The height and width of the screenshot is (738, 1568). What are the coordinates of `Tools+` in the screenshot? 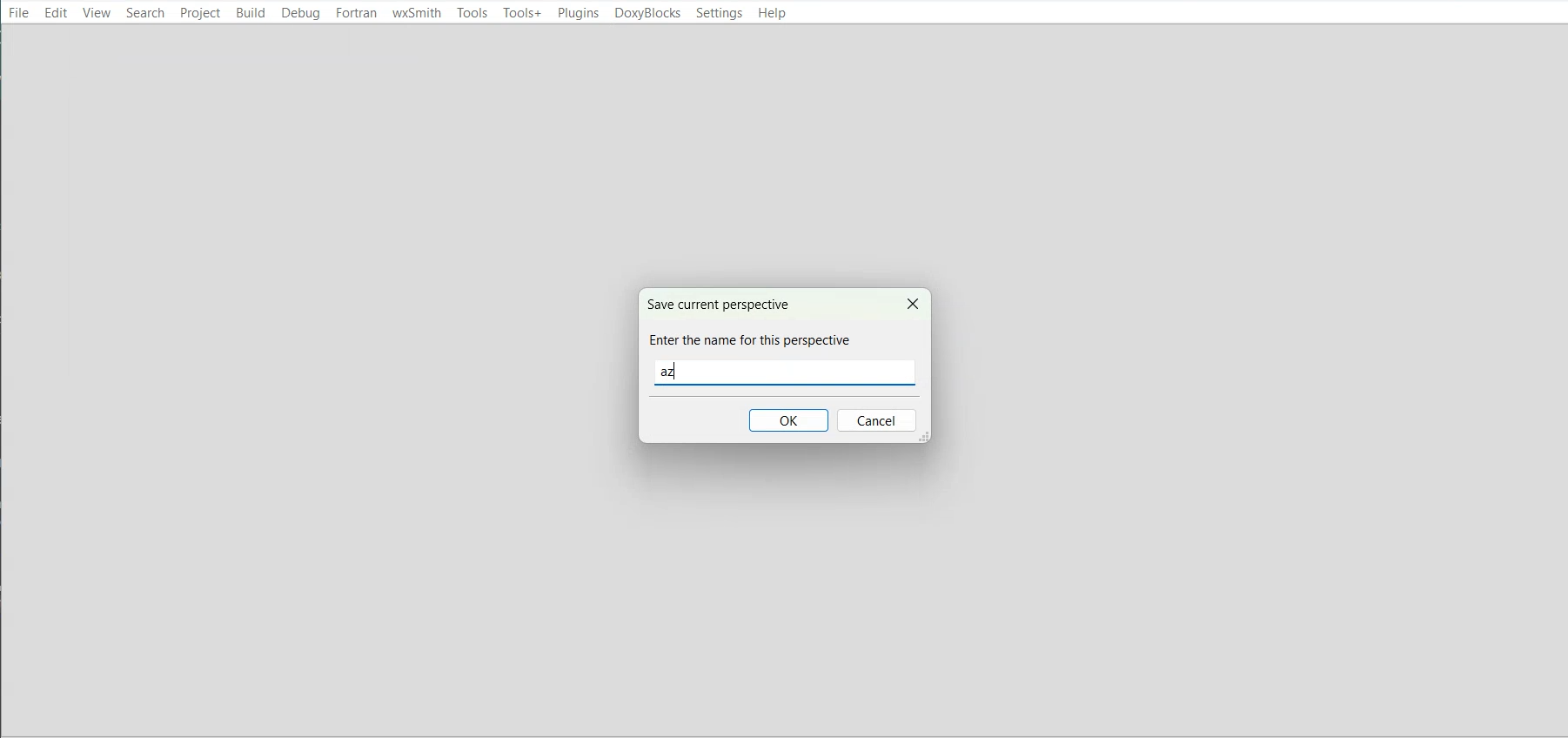 It's located at (522, 13).